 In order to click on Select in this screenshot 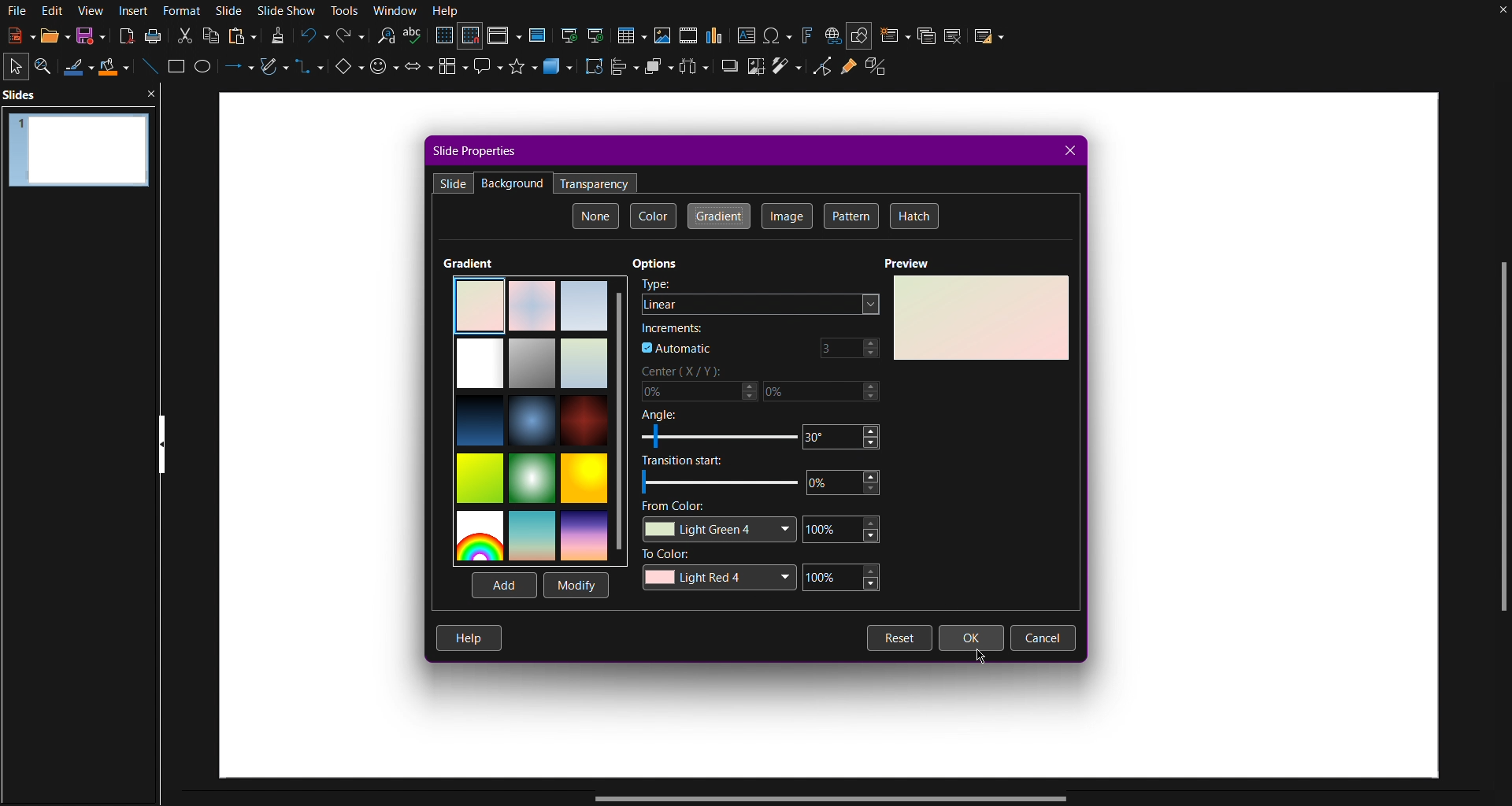, I will do `click(17, 65)`.